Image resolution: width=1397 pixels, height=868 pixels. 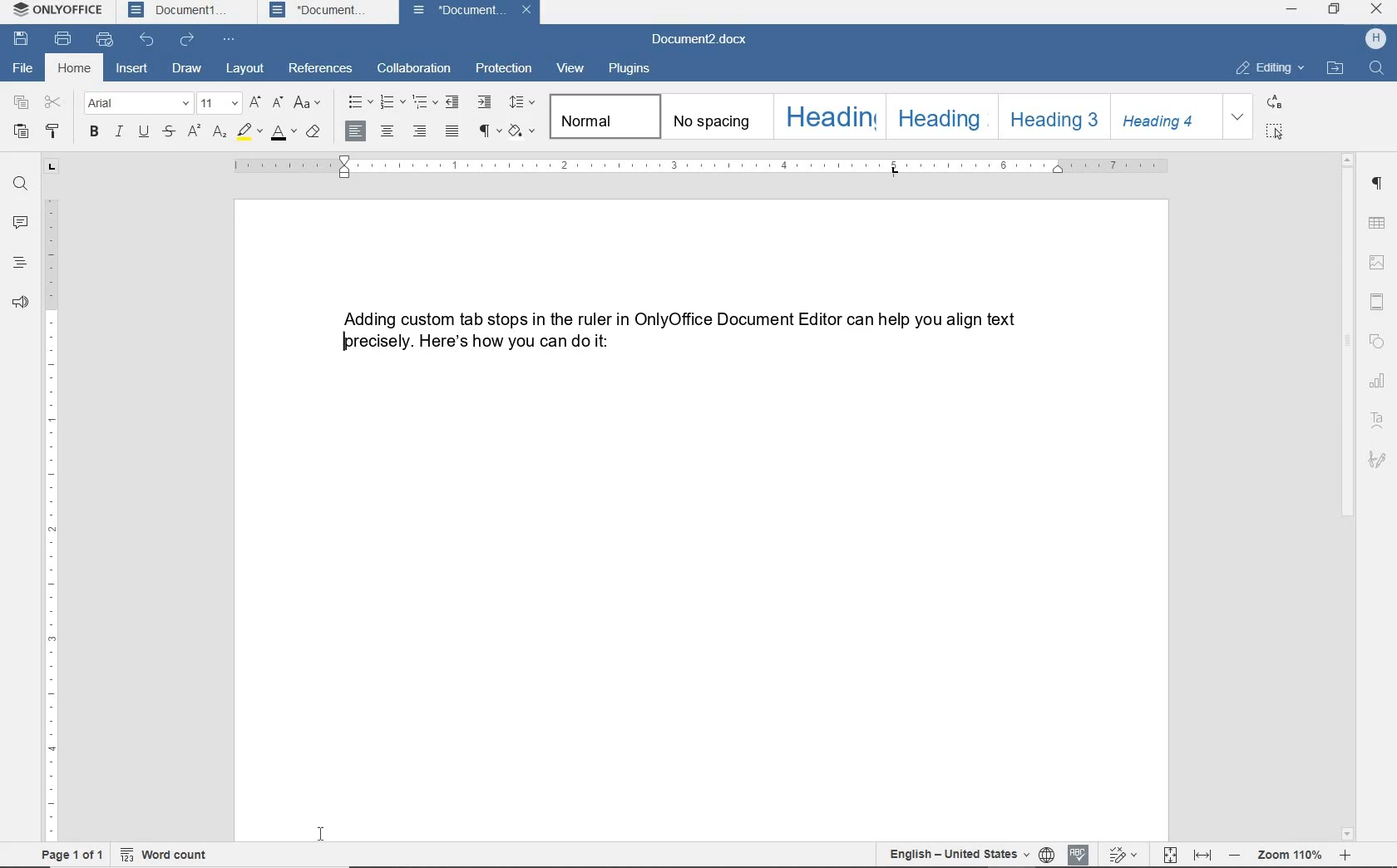 I want to click on view, so click(x=568, y=68).